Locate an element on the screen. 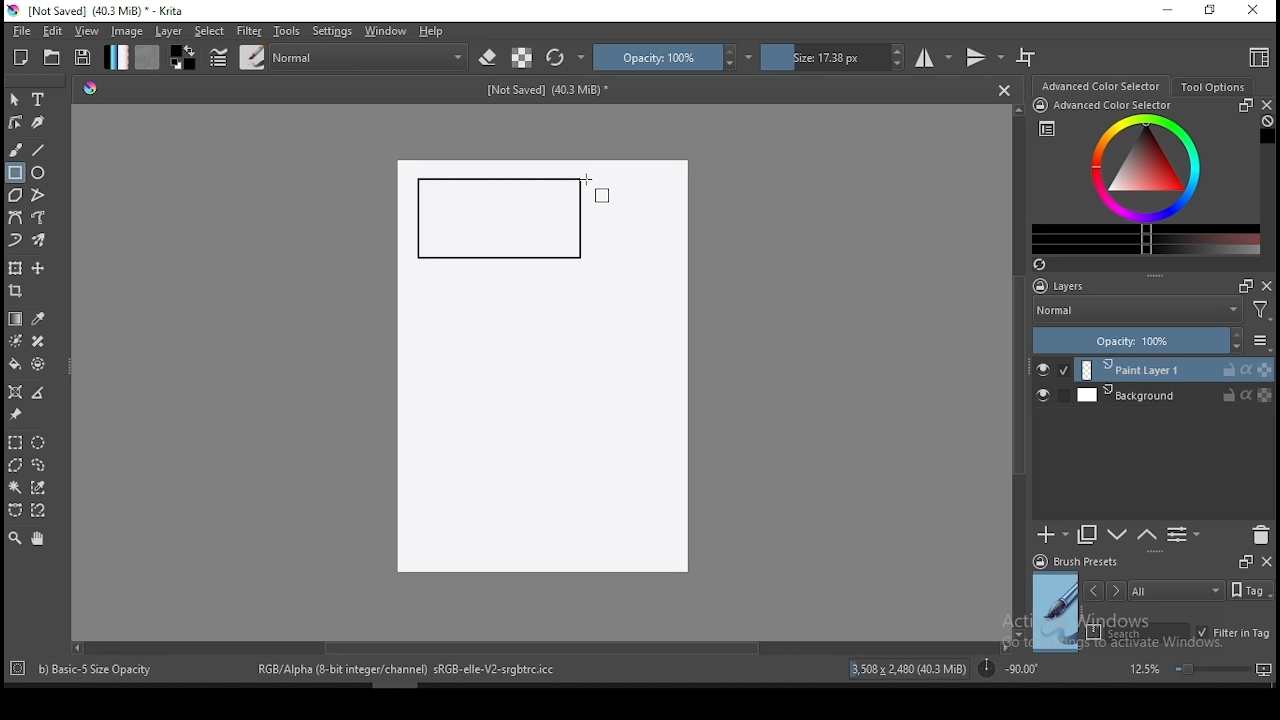  magnetic curve selection tool is located at coordinates (36, 510).